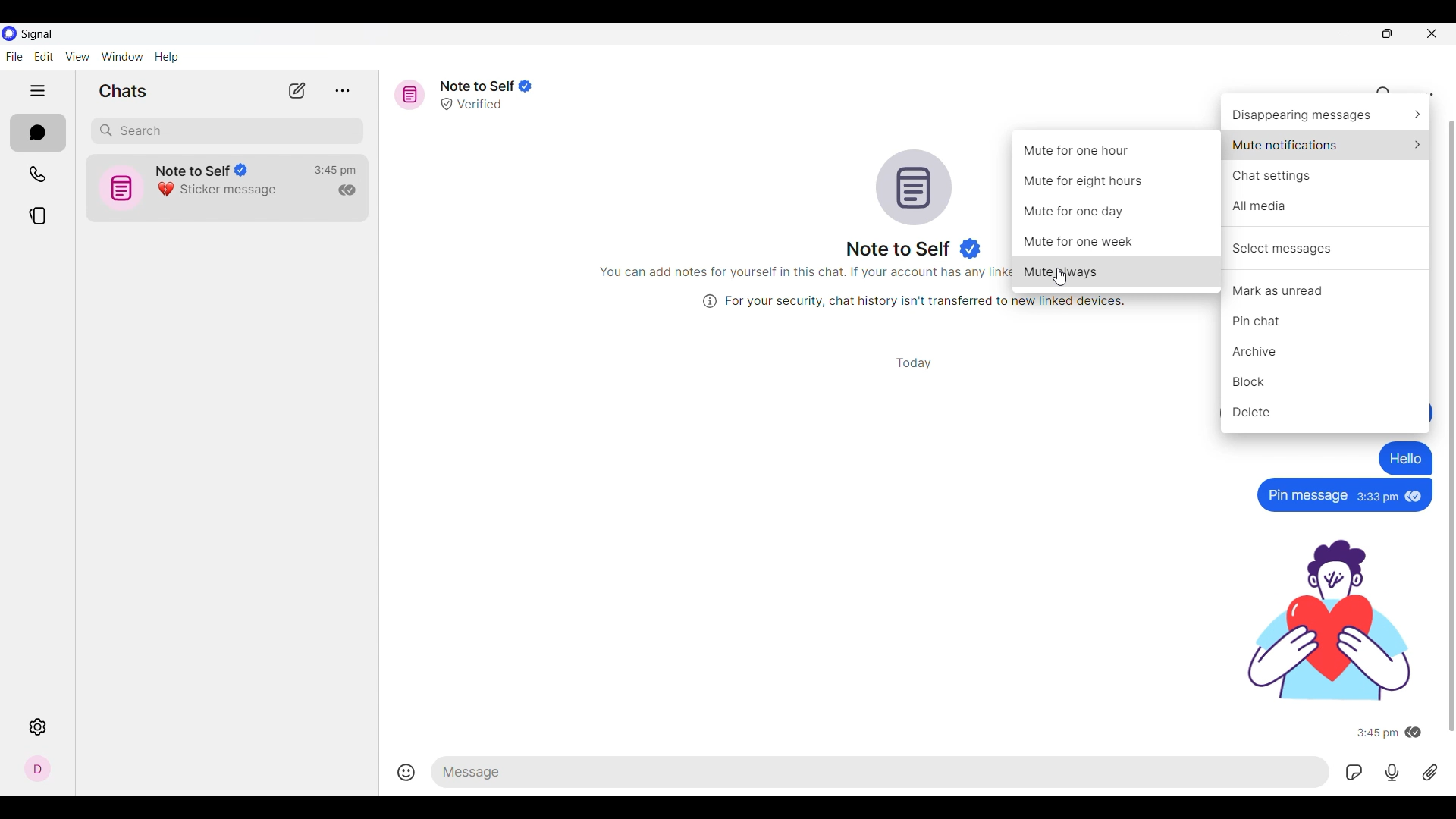  I want to click on GIFs, so click(1354, 772).